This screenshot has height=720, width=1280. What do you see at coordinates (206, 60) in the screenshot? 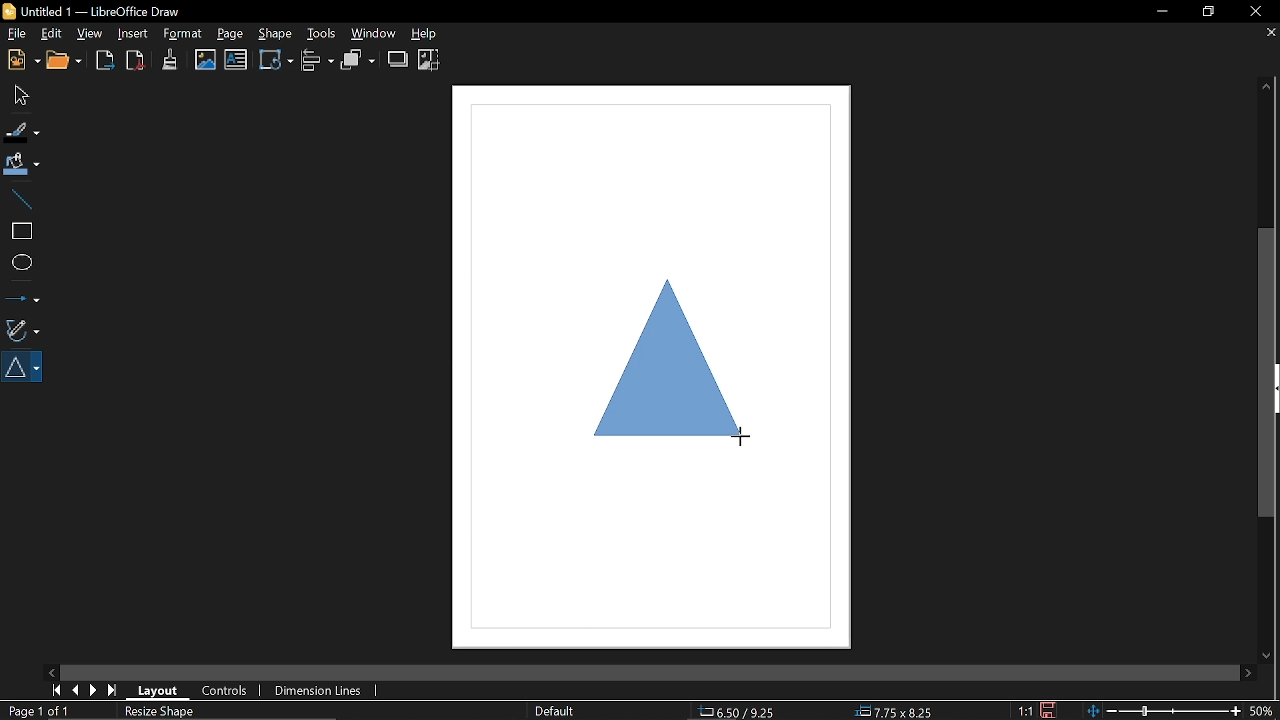
I see `Insert image` at bounding box center [206, 60].